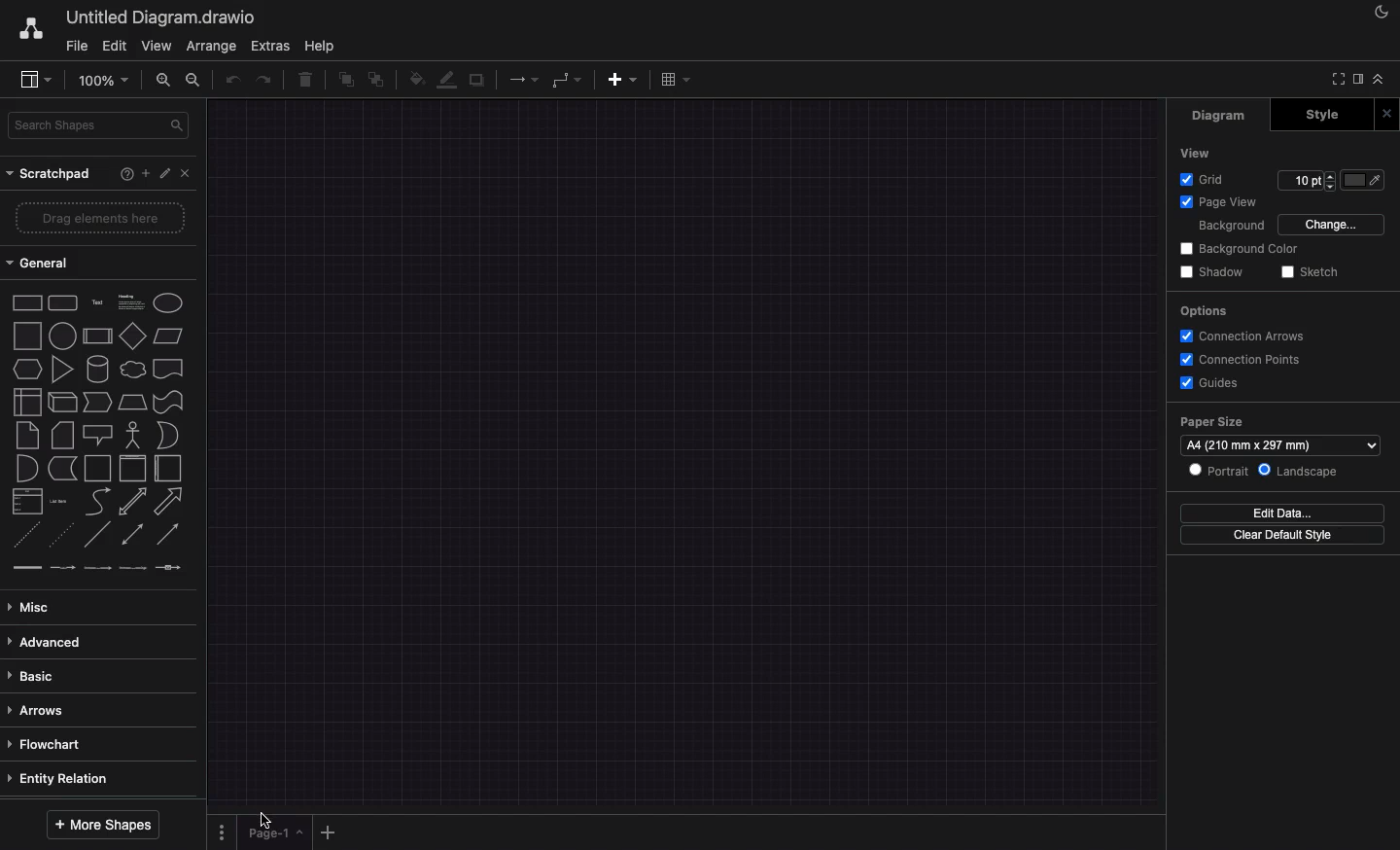 The image size is (1400, 850). I want to click on bidirectional connector, so click(134, 533).